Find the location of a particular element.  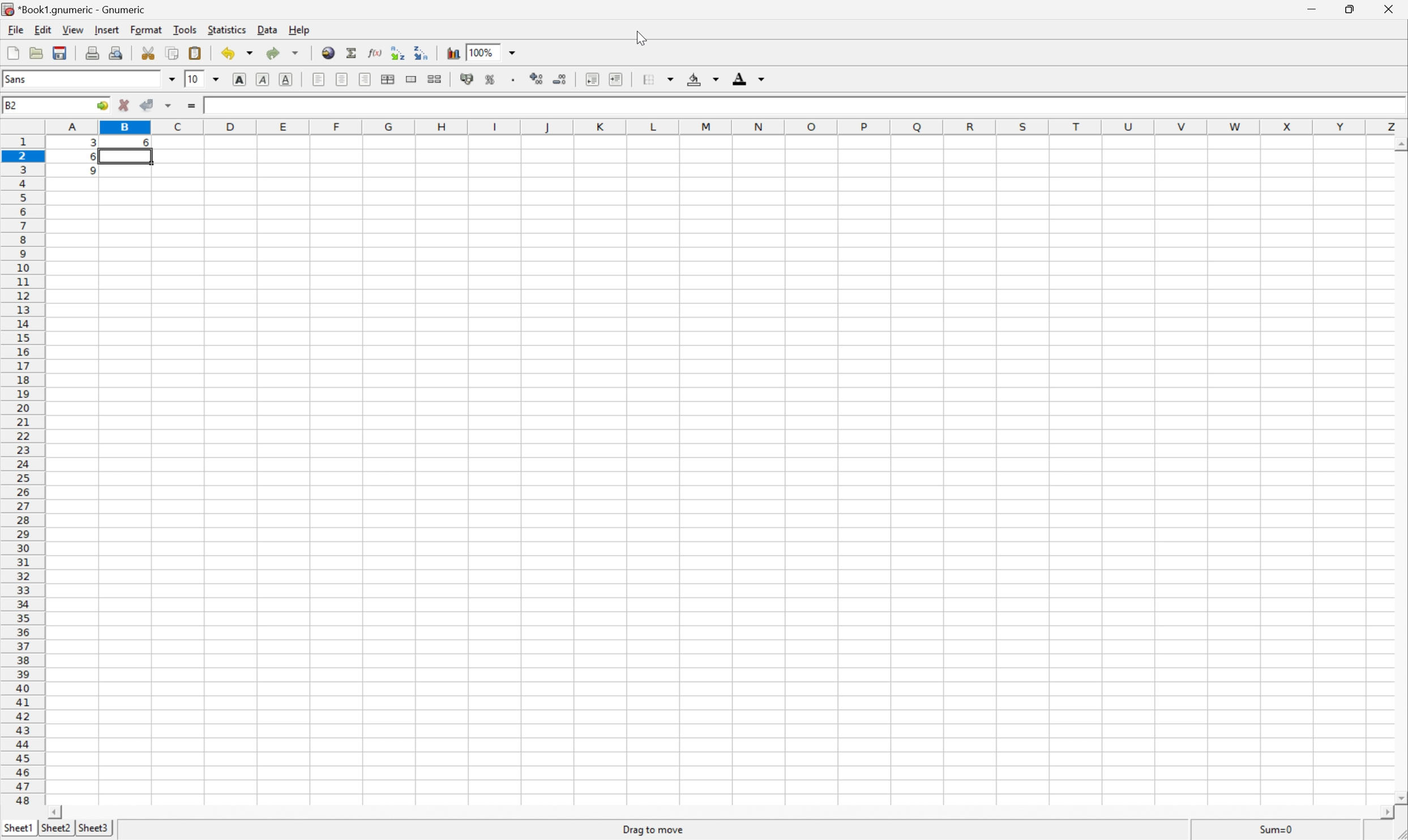

Background is located at coordinates (701, 79).